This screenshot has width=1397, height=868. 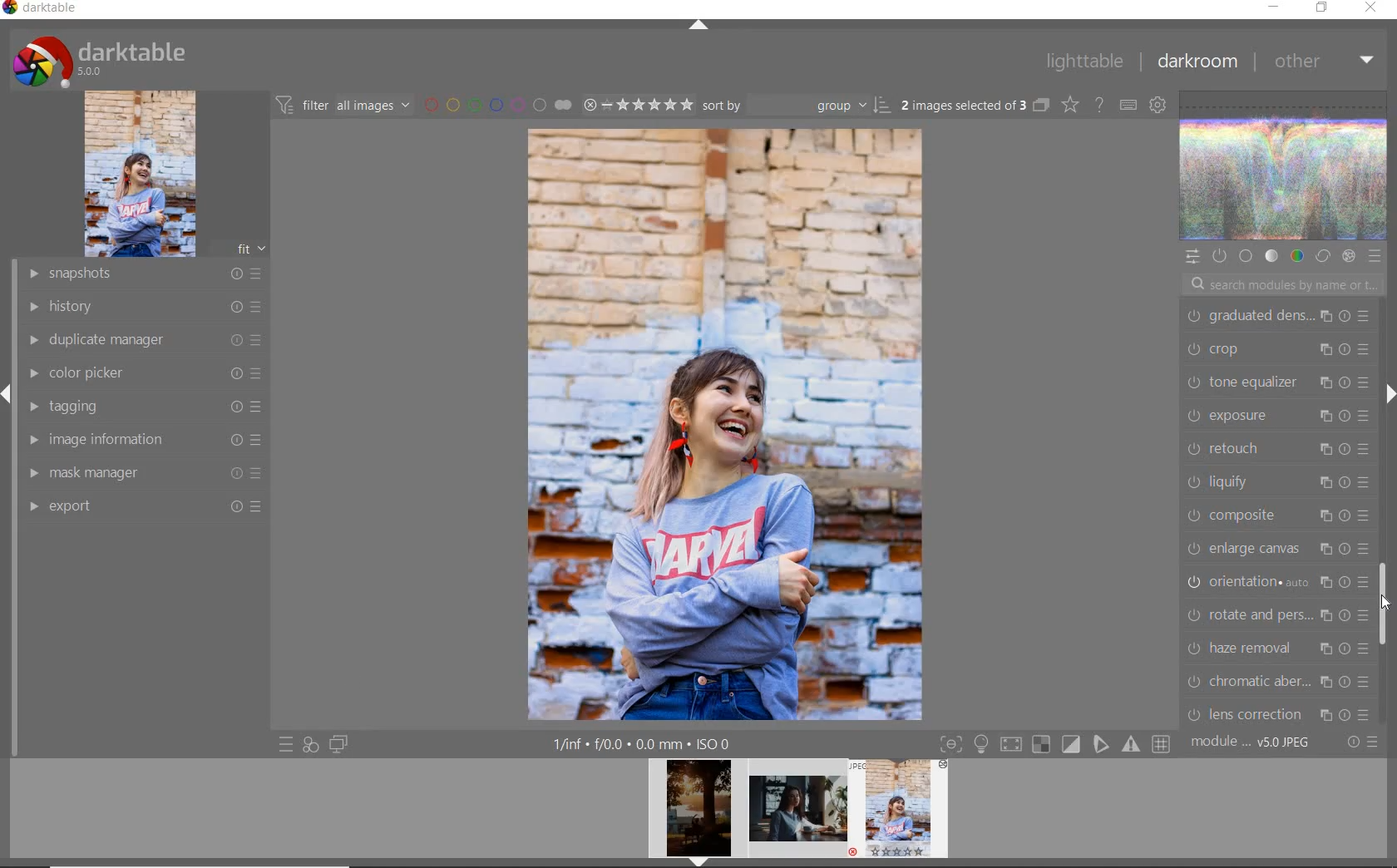 I want to click on display a second darkroom image window, so click(x=339, y=744).